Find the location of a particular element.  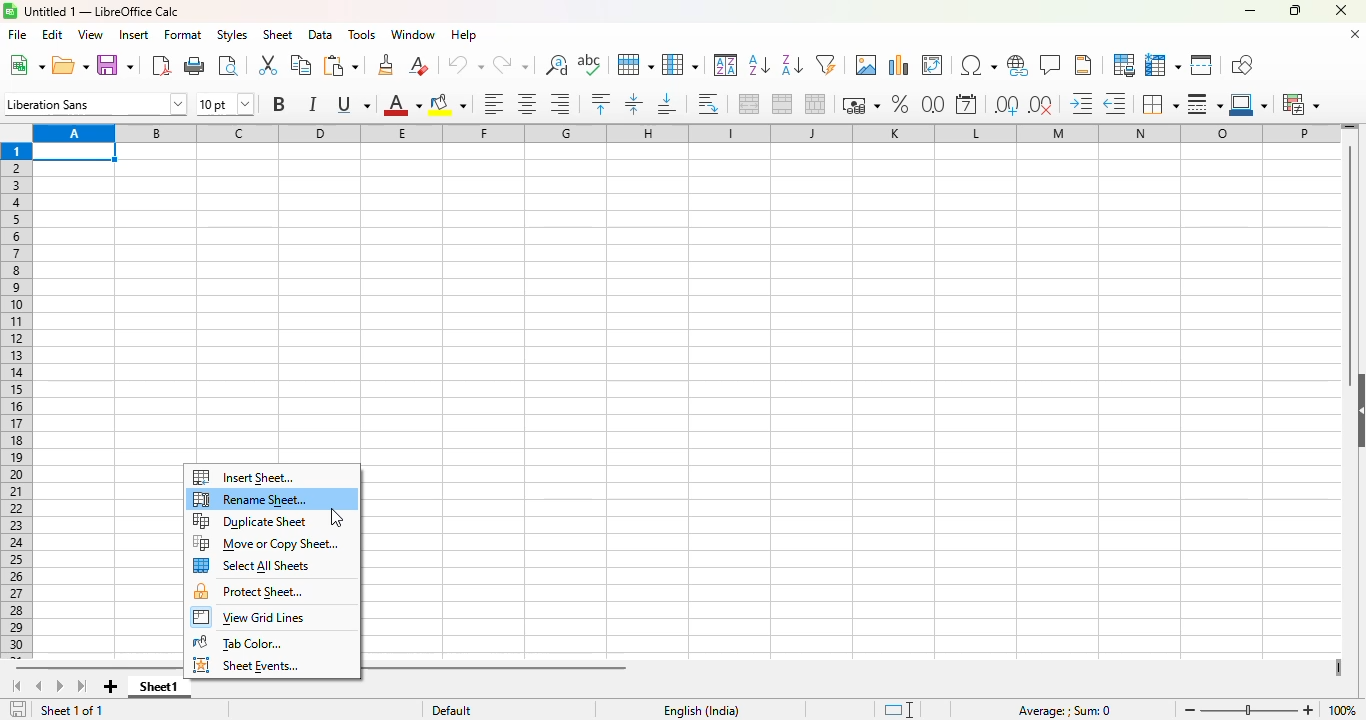

horizontal scroll bar is located at coordinates (97, 668).